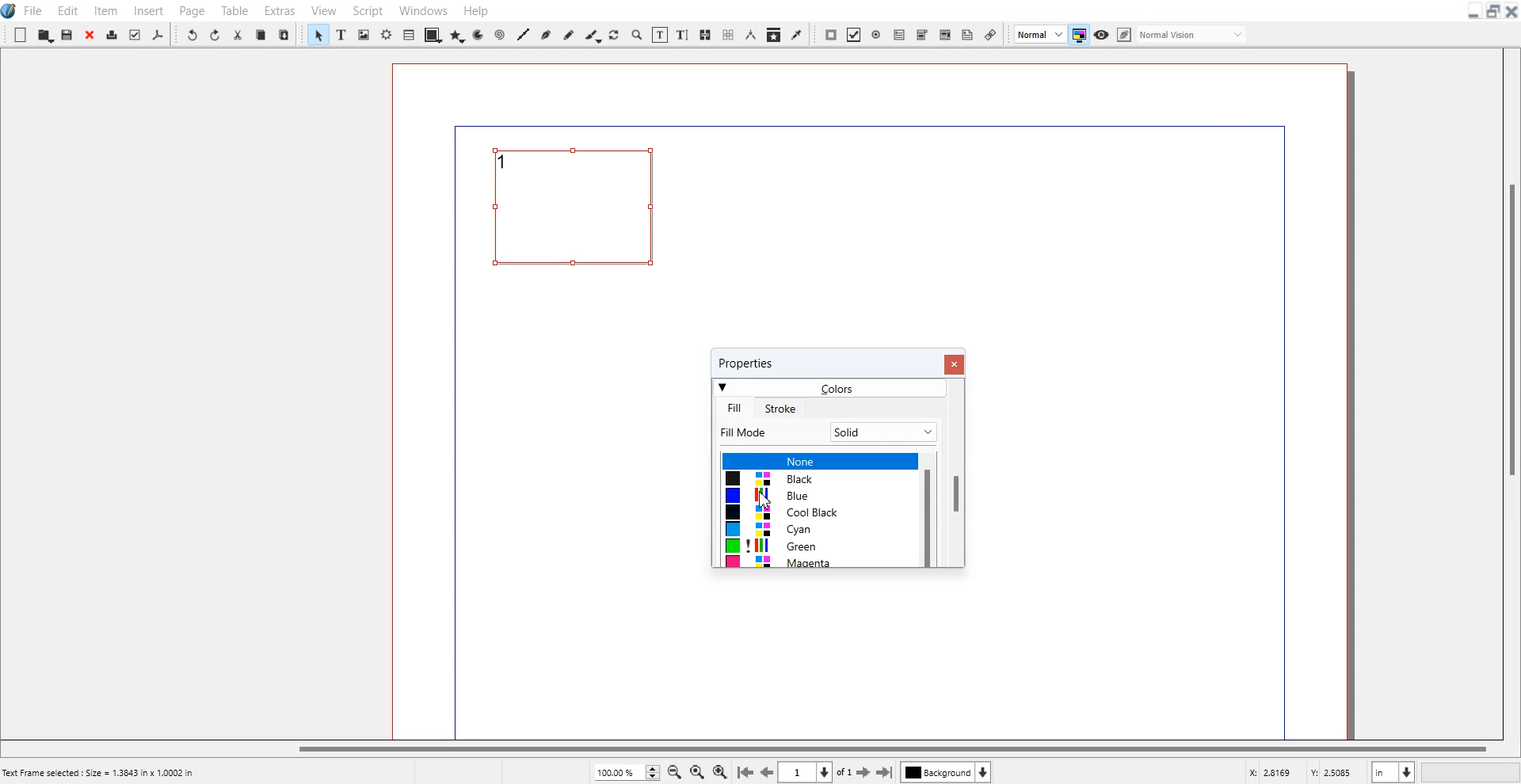 This screenshot has width=1521, height=784. I want to click on Vertical Scroll bar, so click(928, 511).